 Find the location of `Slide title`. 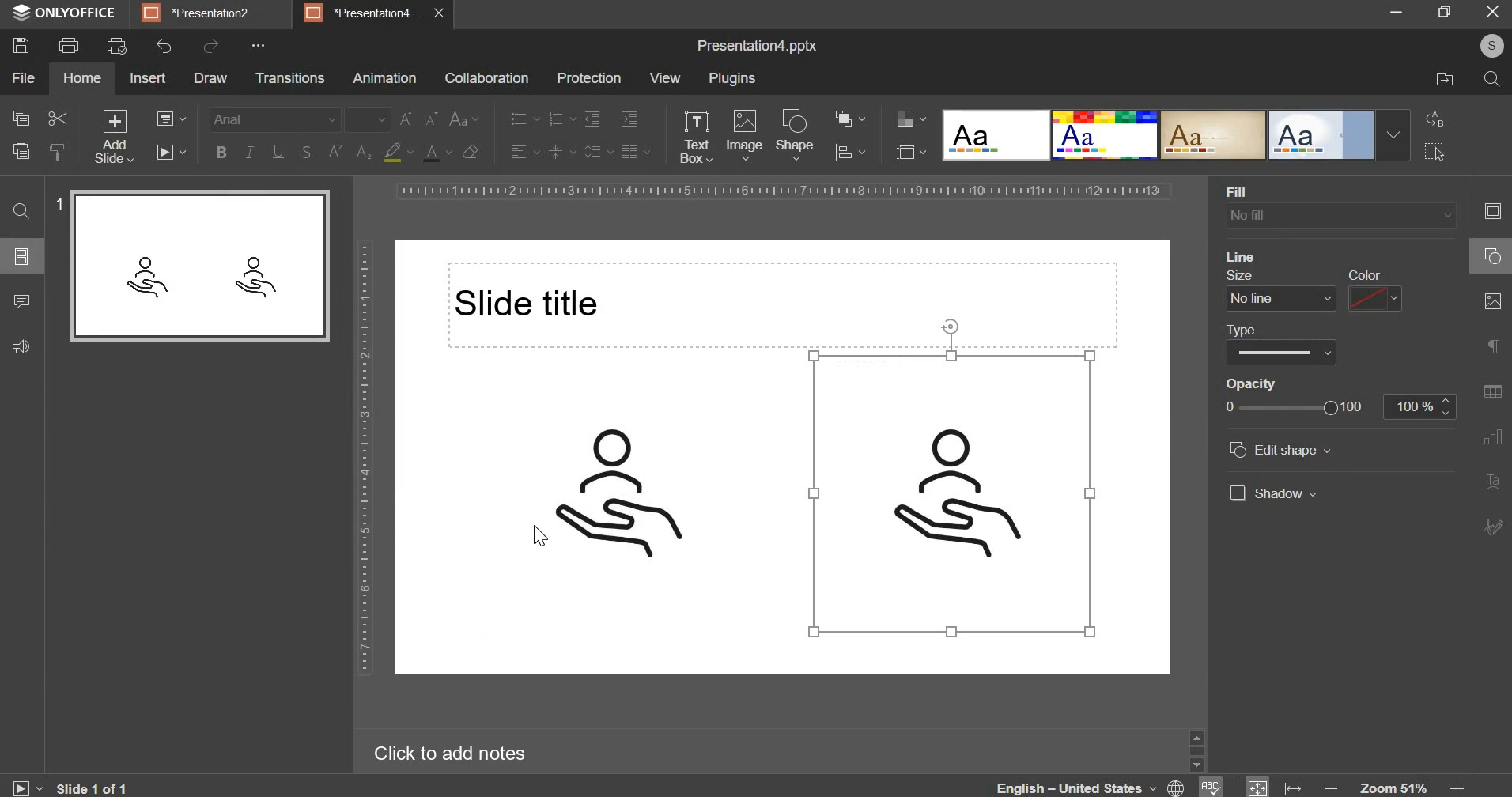

Slide title is located at coordinates (782, 305).